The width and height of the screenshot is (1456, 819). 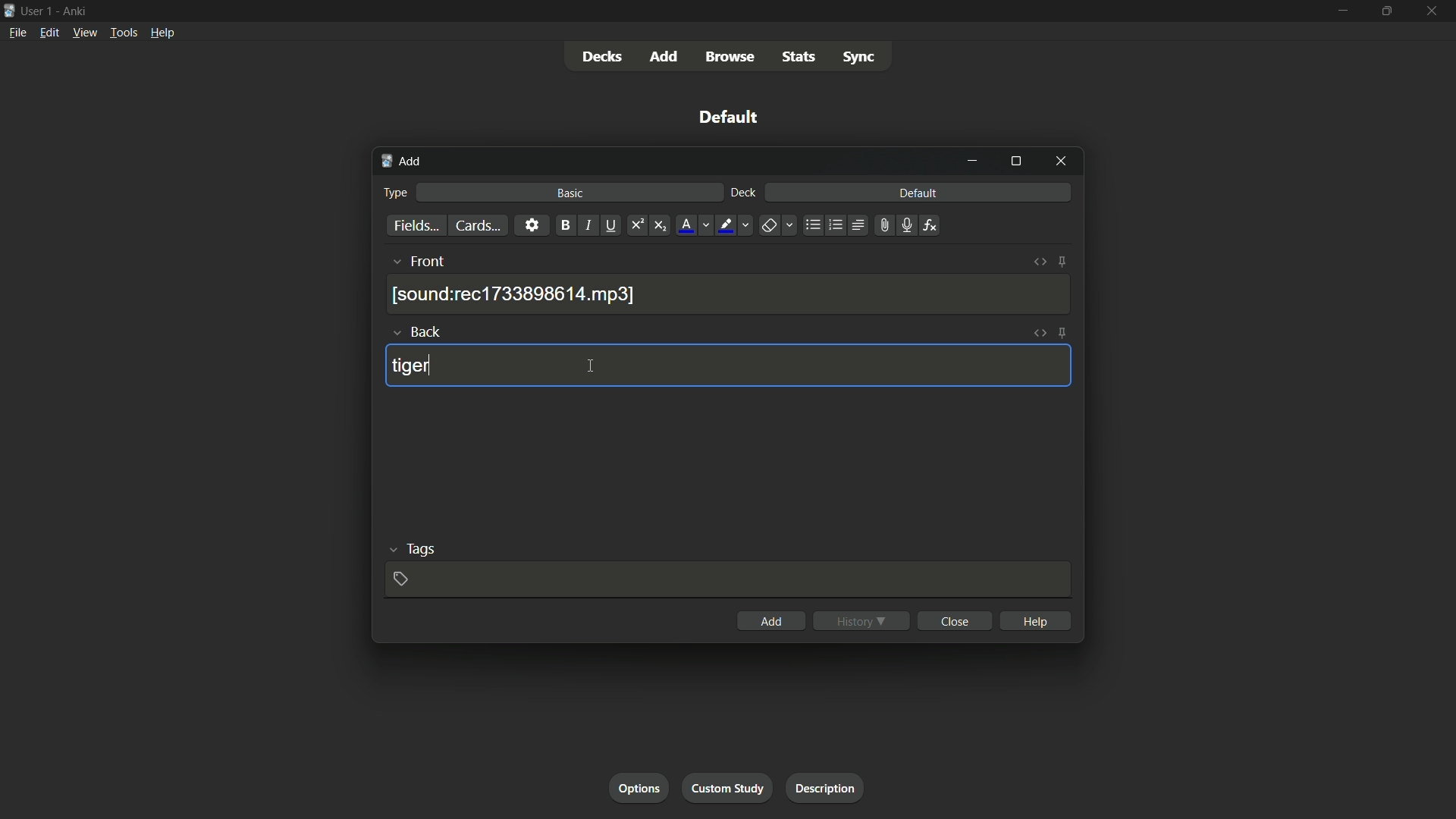 I want to click on default, so click(x=918, y=193).